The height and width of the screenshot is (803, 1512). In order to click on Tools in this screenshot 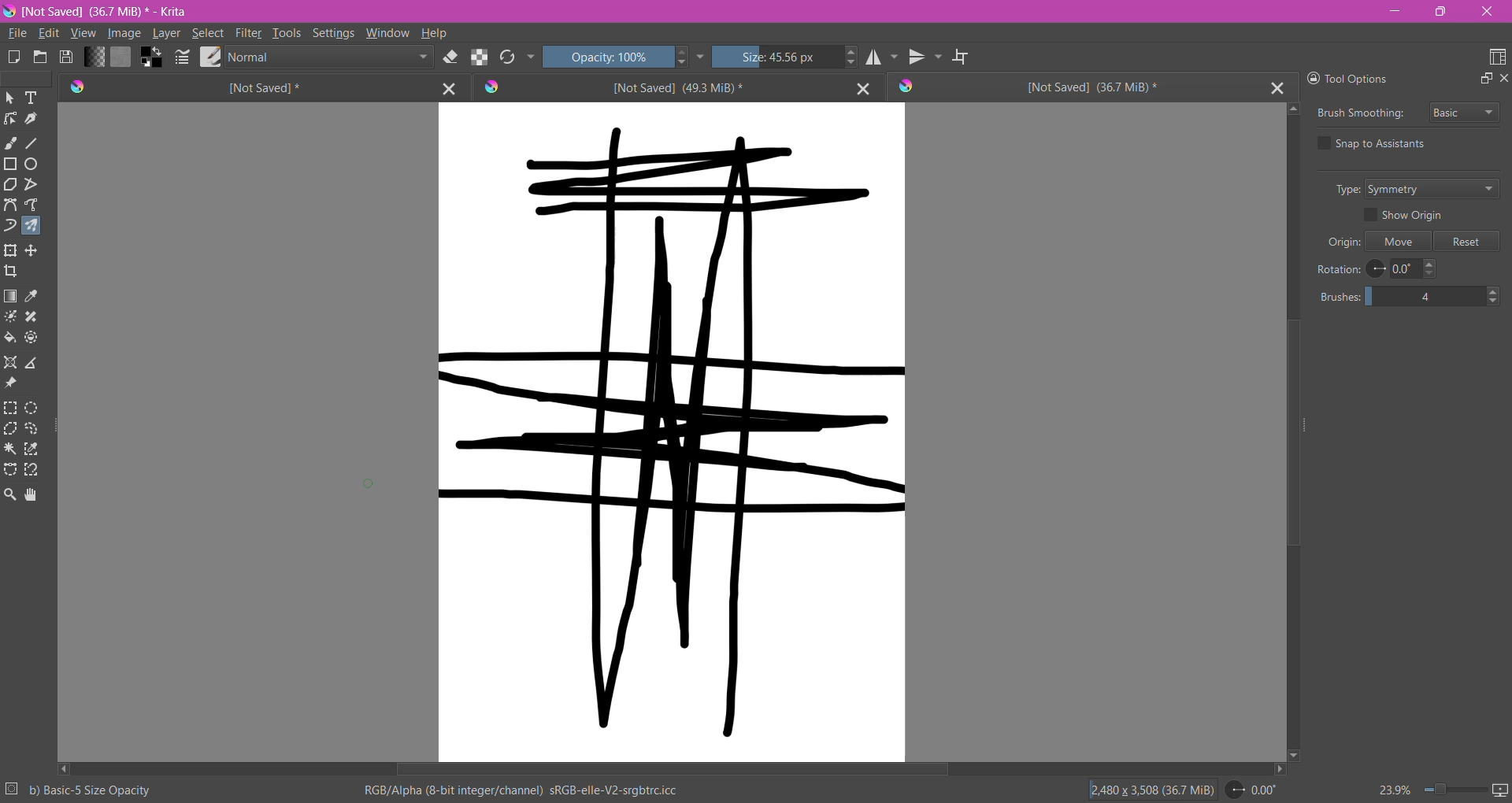, I will do `click(287, 31)`.